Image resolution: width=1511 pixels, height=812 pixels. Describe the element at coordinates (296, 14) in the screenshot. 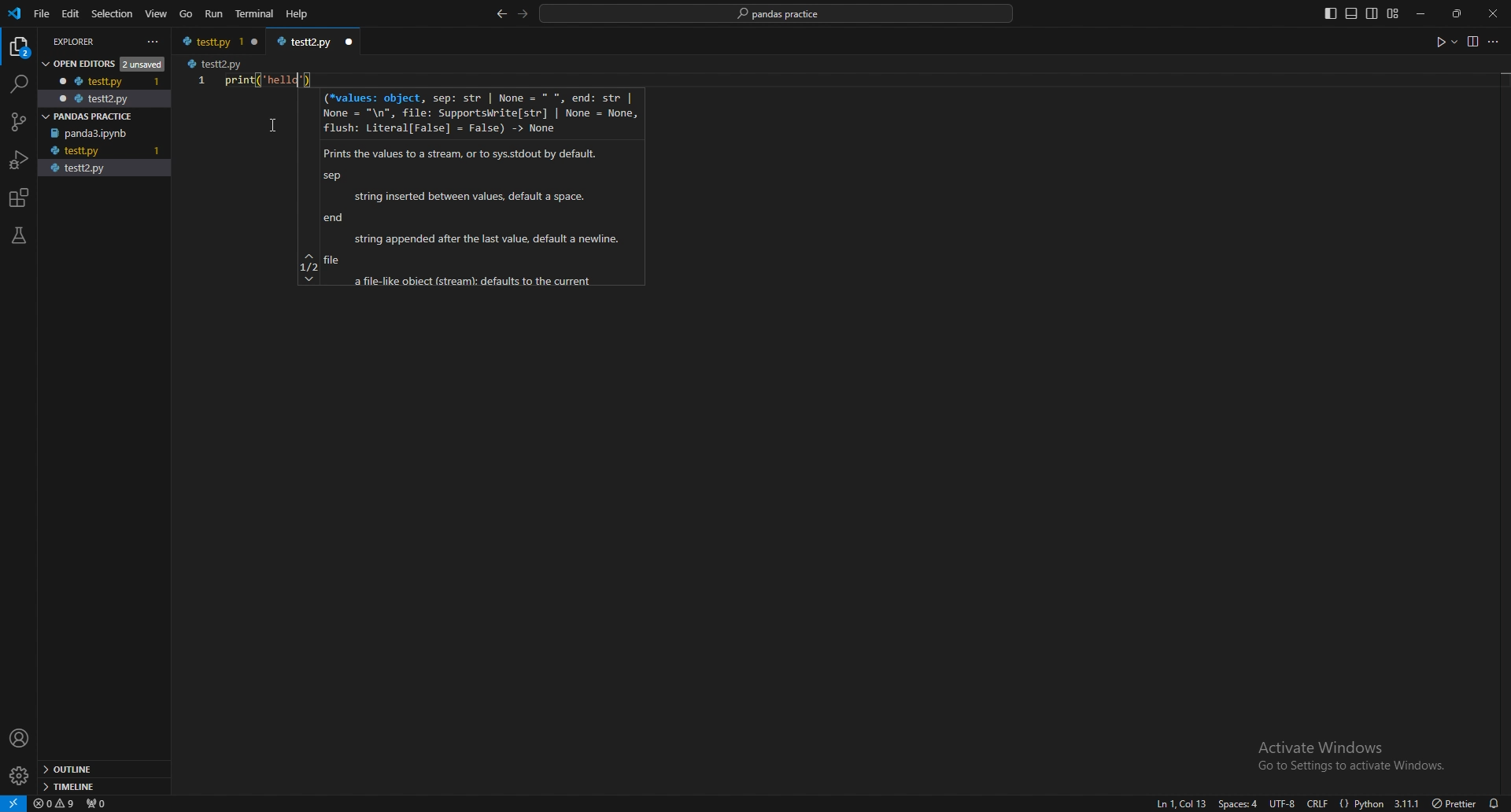

I see `Help` at that location.